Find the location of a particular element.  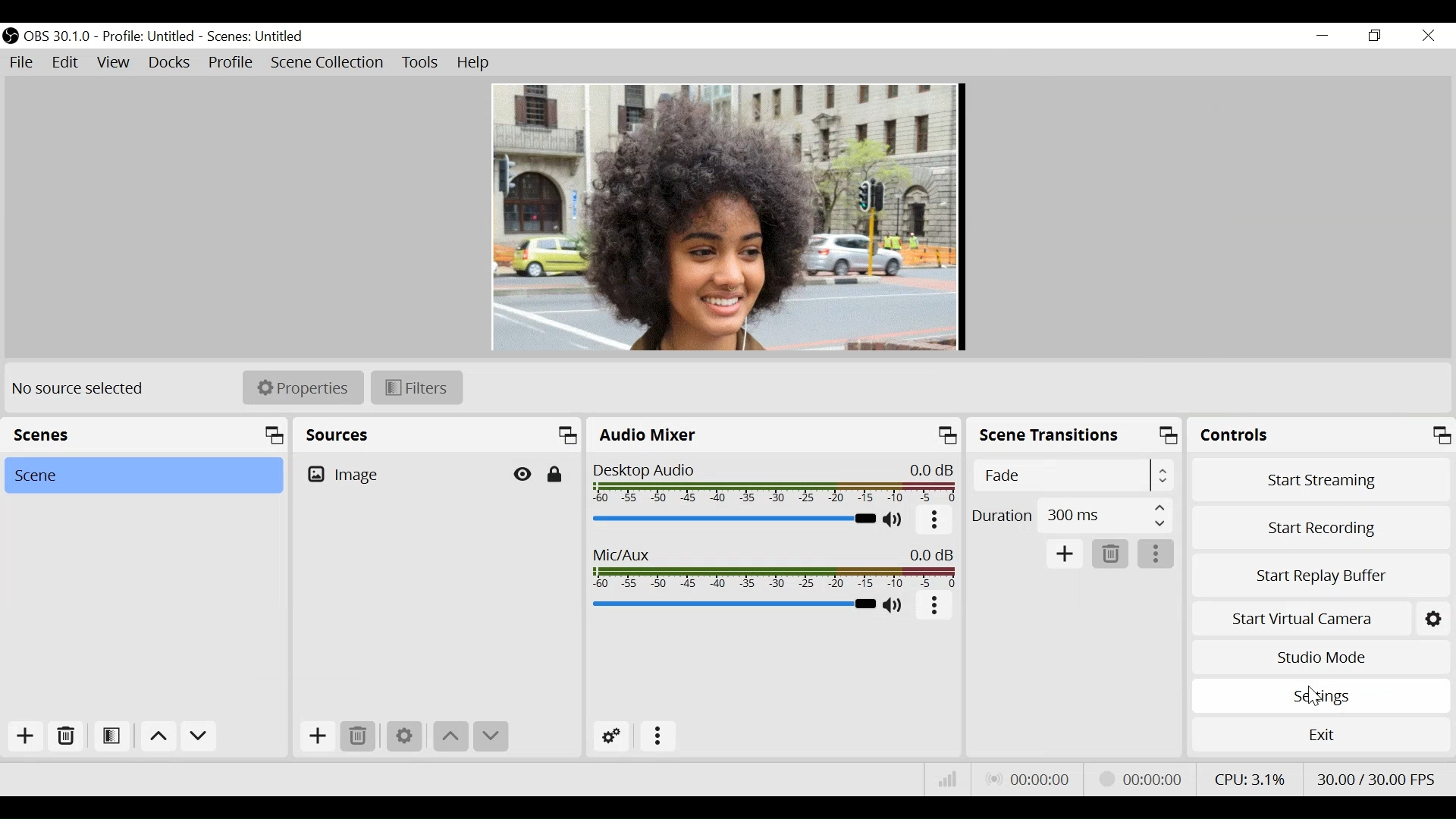

Maximize is located at coordinates (1169, 437).